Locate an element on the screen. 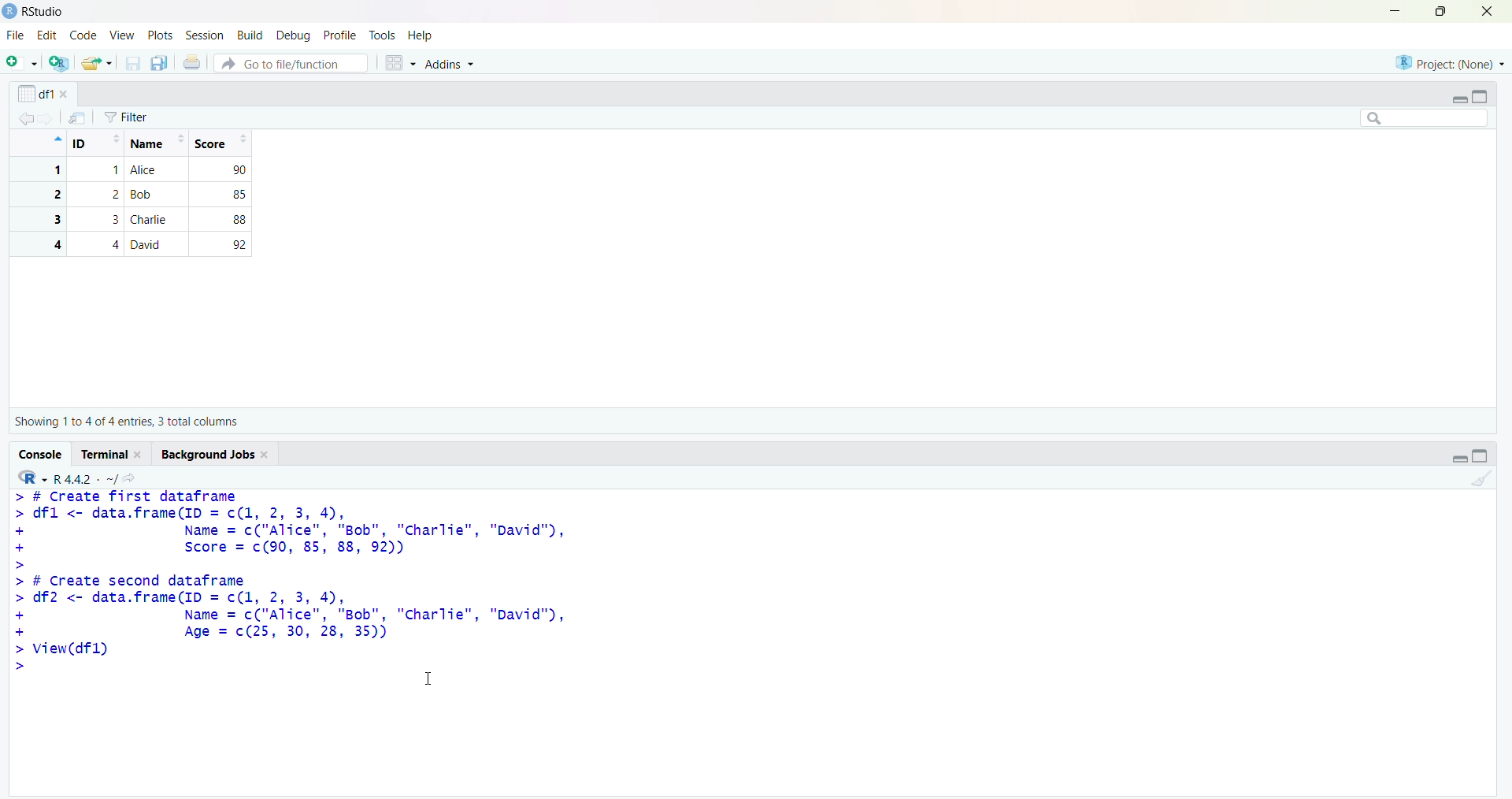 The height and width of the screenshot is (799, 1512). edit is located at coordinates (47, 35).